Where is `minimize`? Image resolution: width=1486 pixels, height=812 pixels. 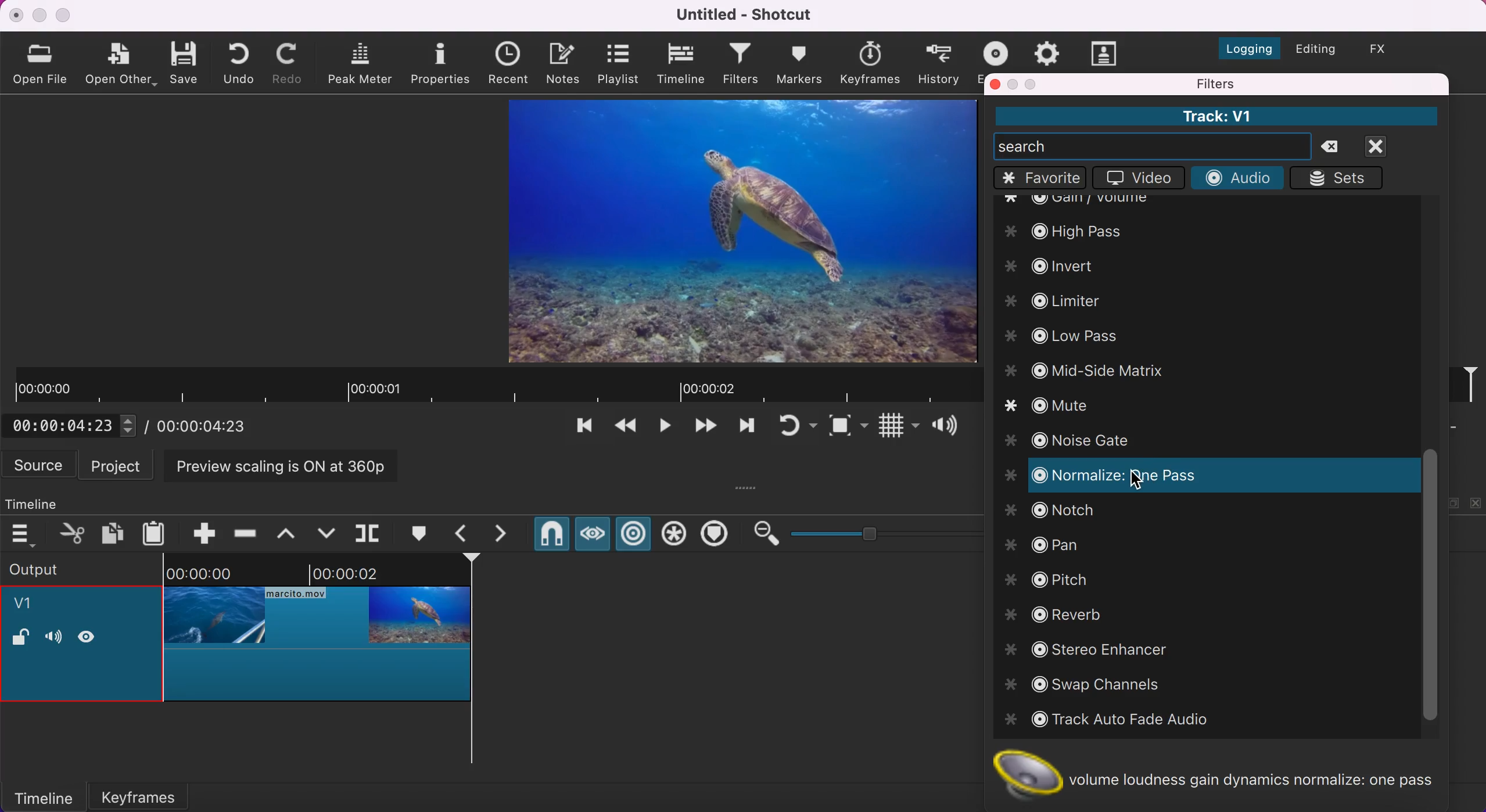
minimize is located at coordinates (1014, 84).